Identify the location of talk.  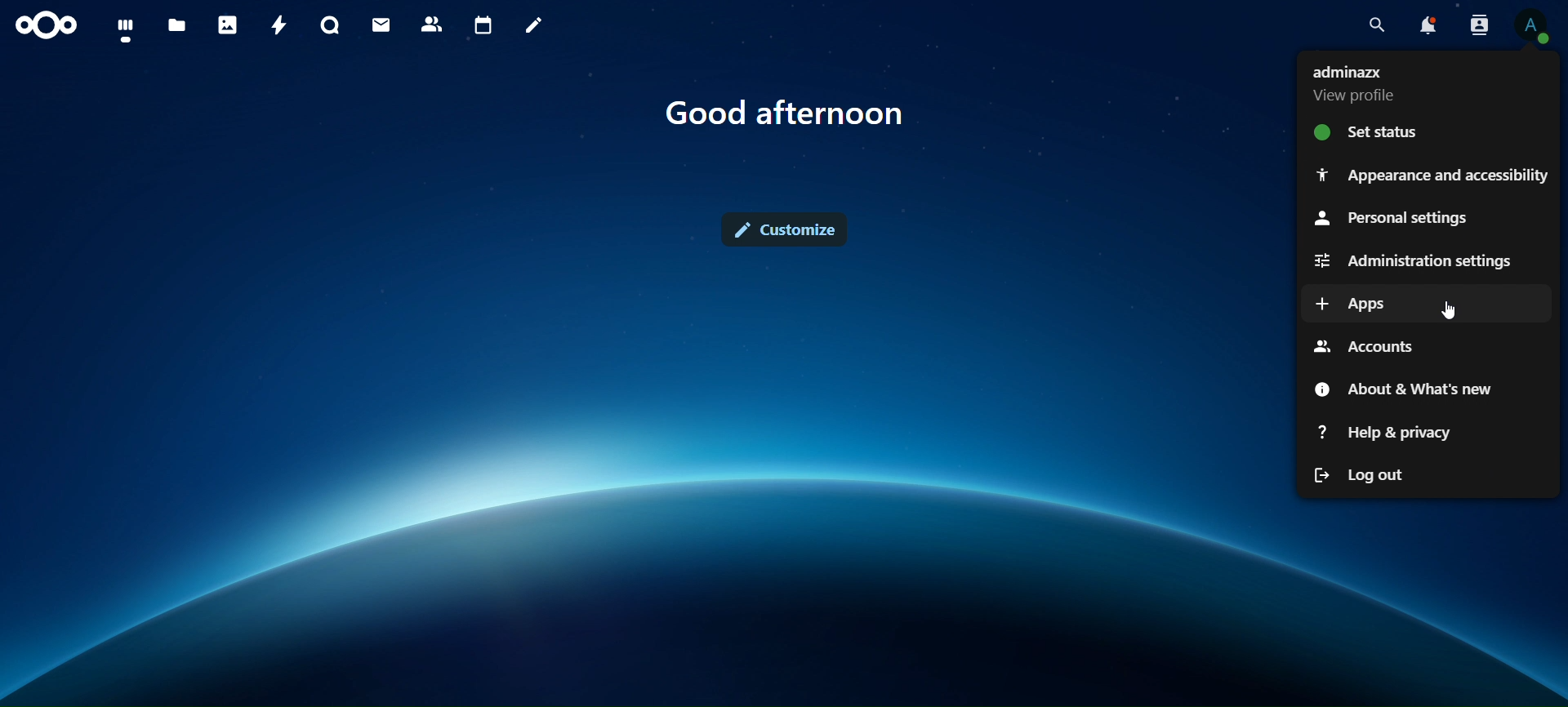
(327, 26).